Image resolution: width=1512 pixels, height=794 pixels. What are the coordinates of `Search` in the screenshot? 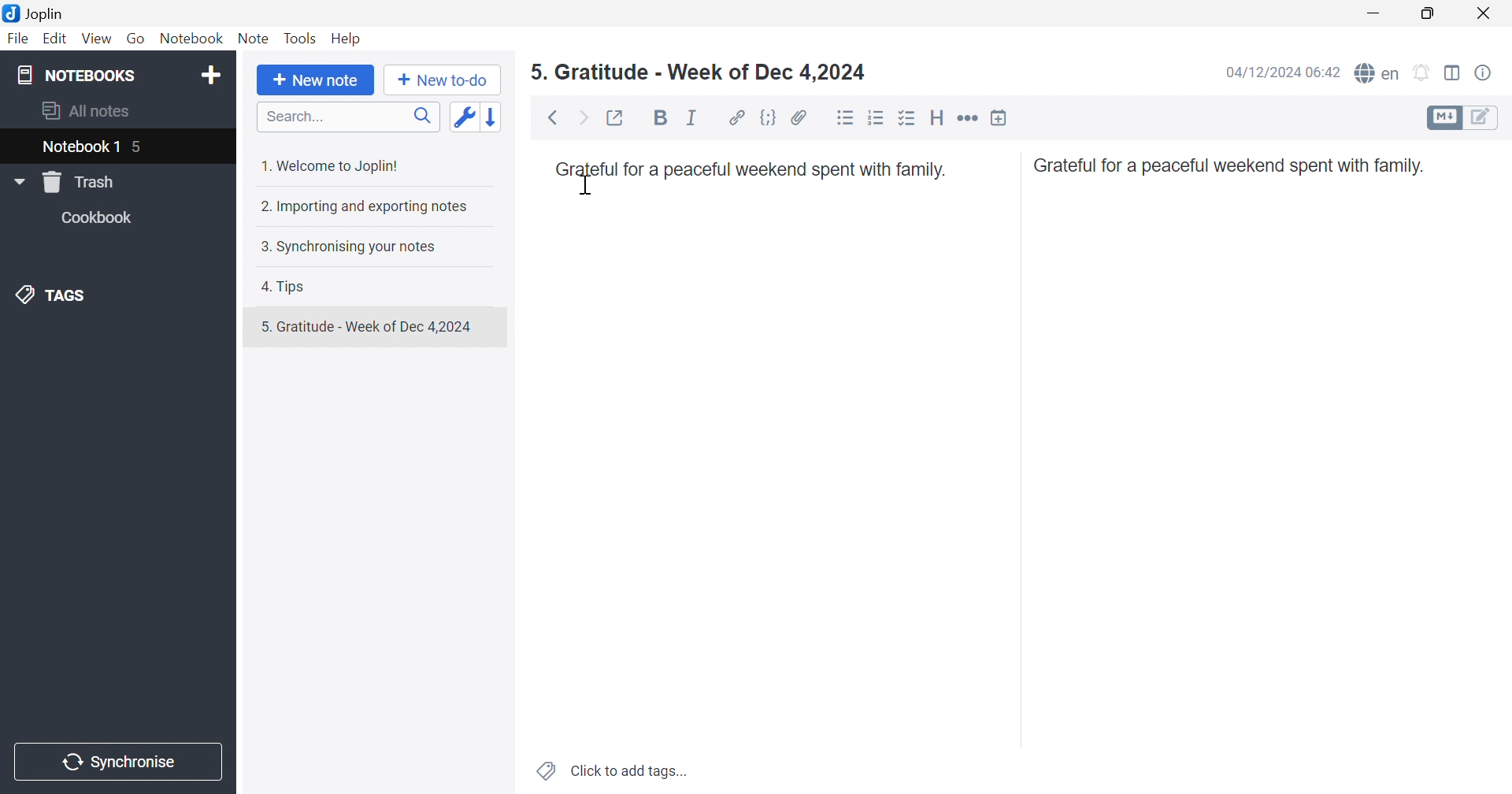 It's located at (343, 117).